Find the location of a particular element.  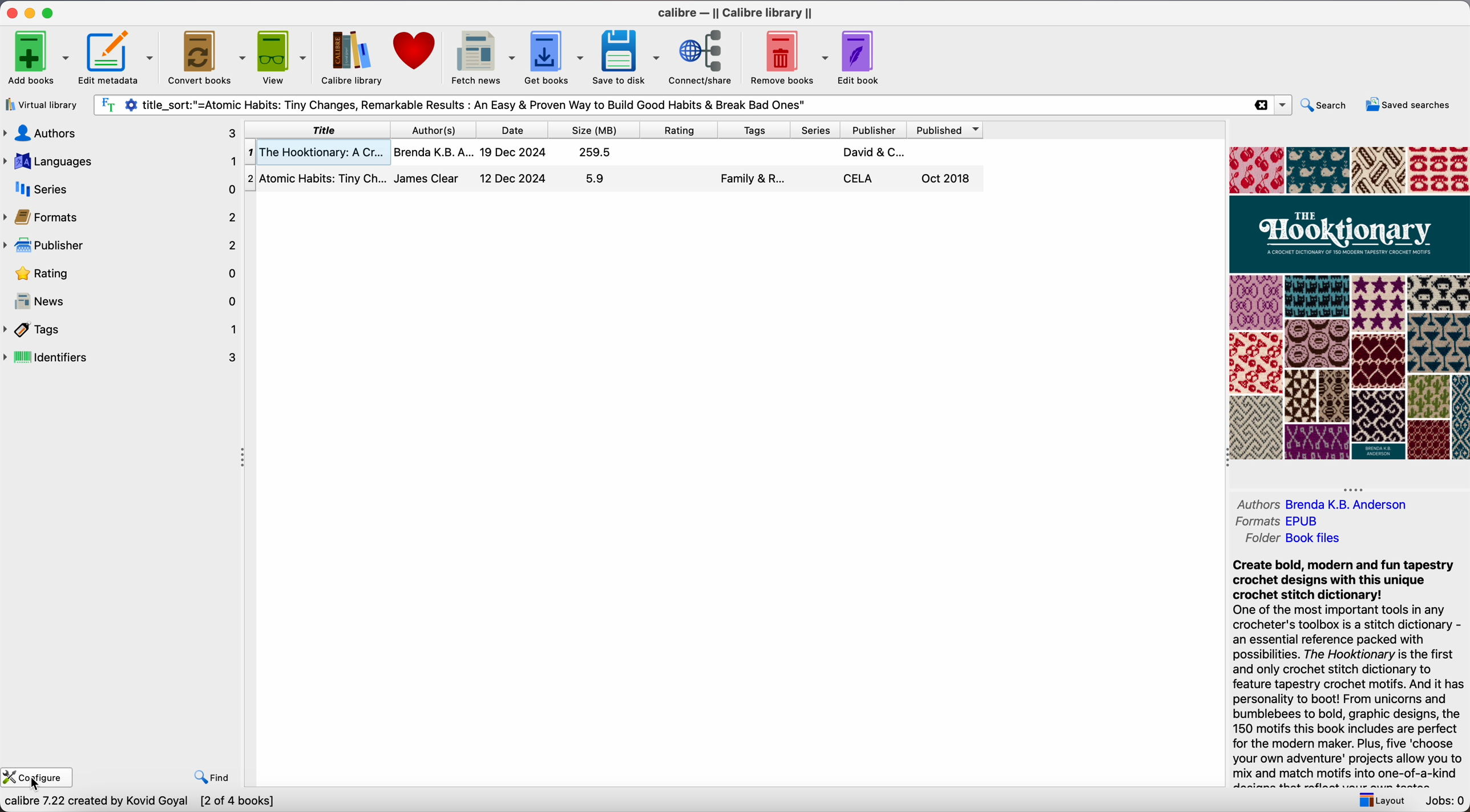

minimize is located at coordinates (30, 11).